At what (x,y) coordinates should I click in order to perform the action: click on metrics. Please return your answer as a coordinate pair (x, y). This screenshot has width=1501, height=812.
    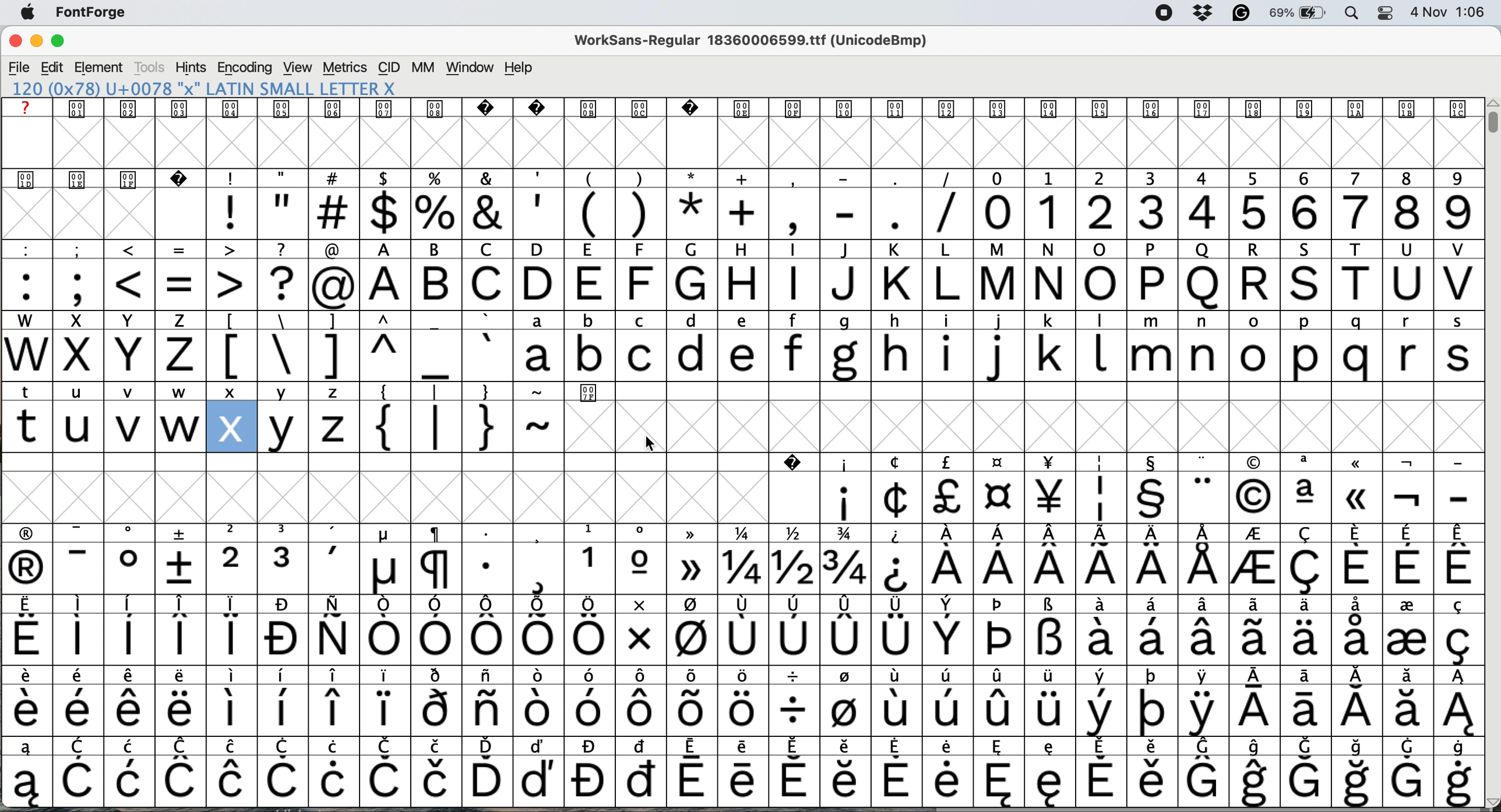
    Looking at the image, I should click on (346, 69).